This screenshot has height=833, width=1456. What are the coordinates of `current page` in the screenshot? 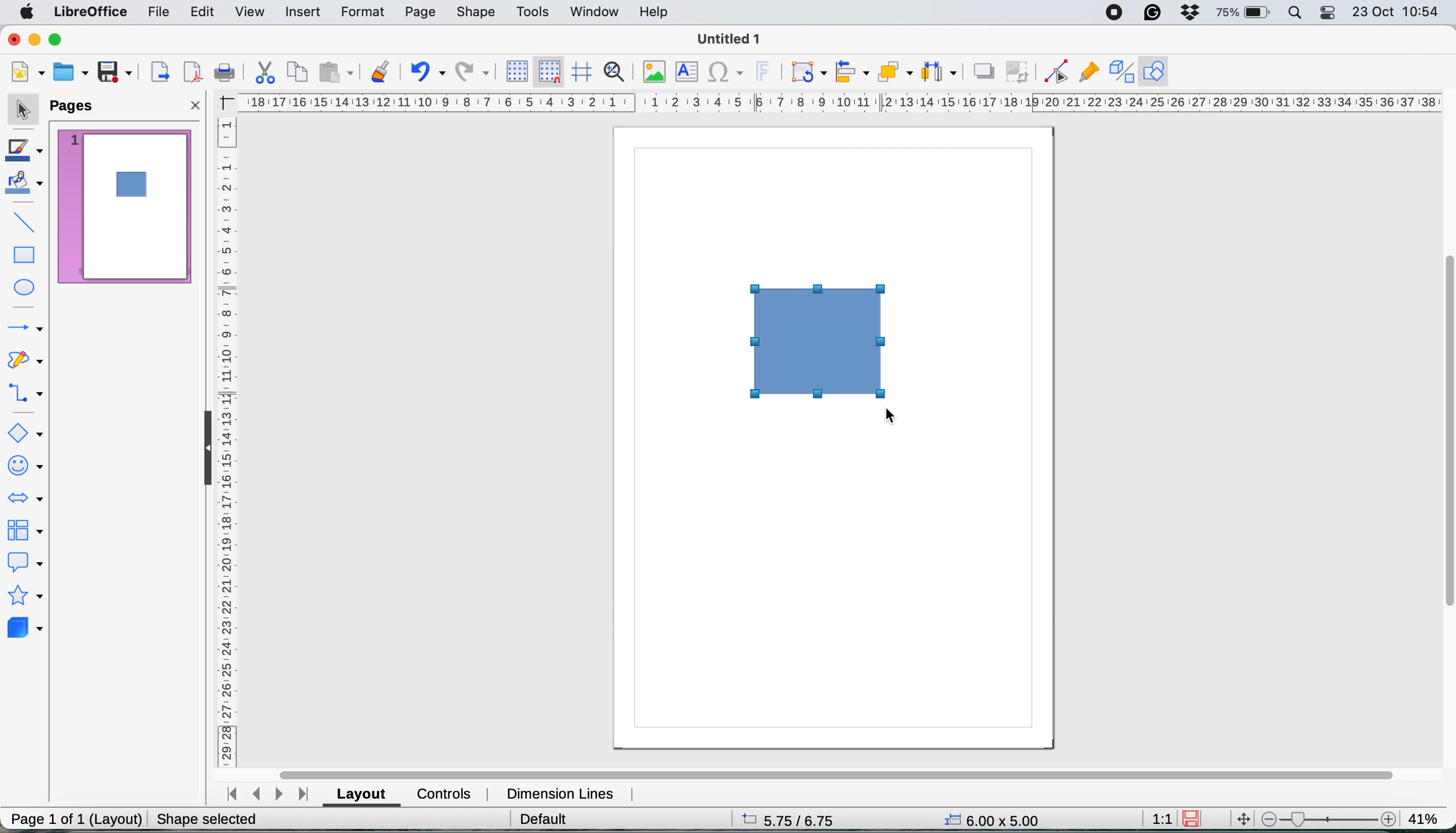 It's located at (124, 206).